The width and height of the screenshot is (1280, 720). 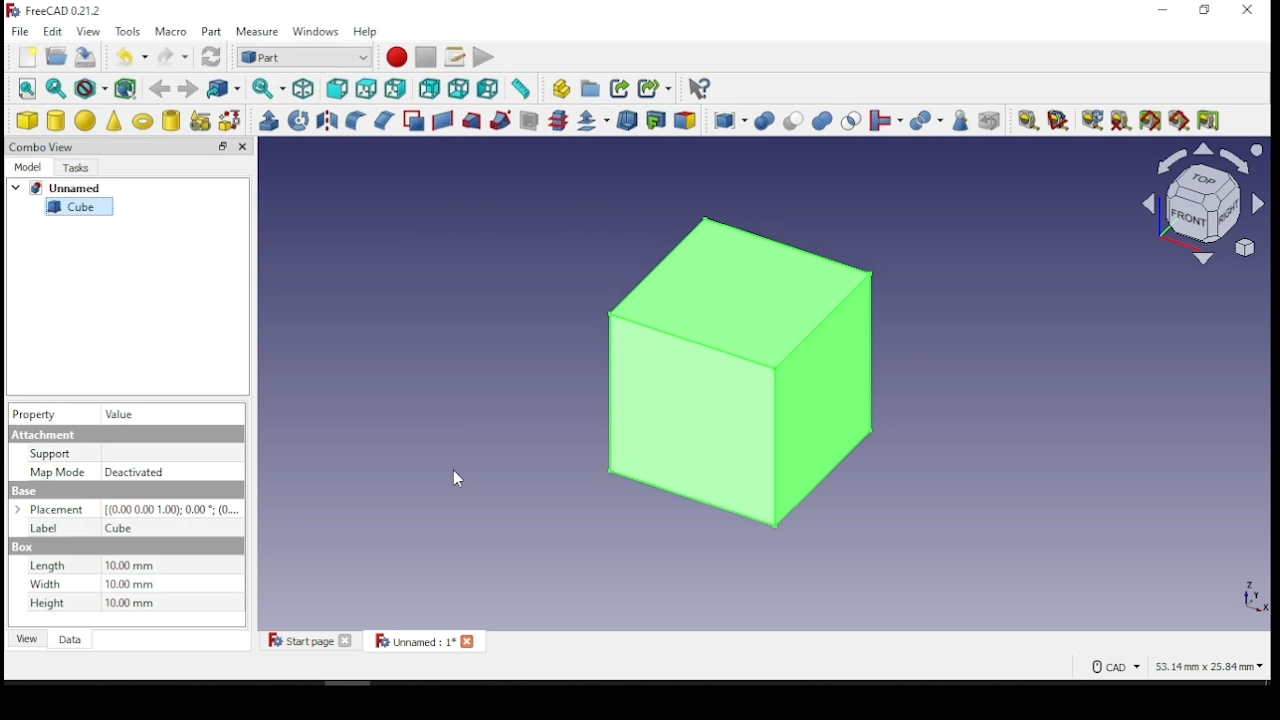 I want to click on Dimensions in mm, so click(x=131, y=585).